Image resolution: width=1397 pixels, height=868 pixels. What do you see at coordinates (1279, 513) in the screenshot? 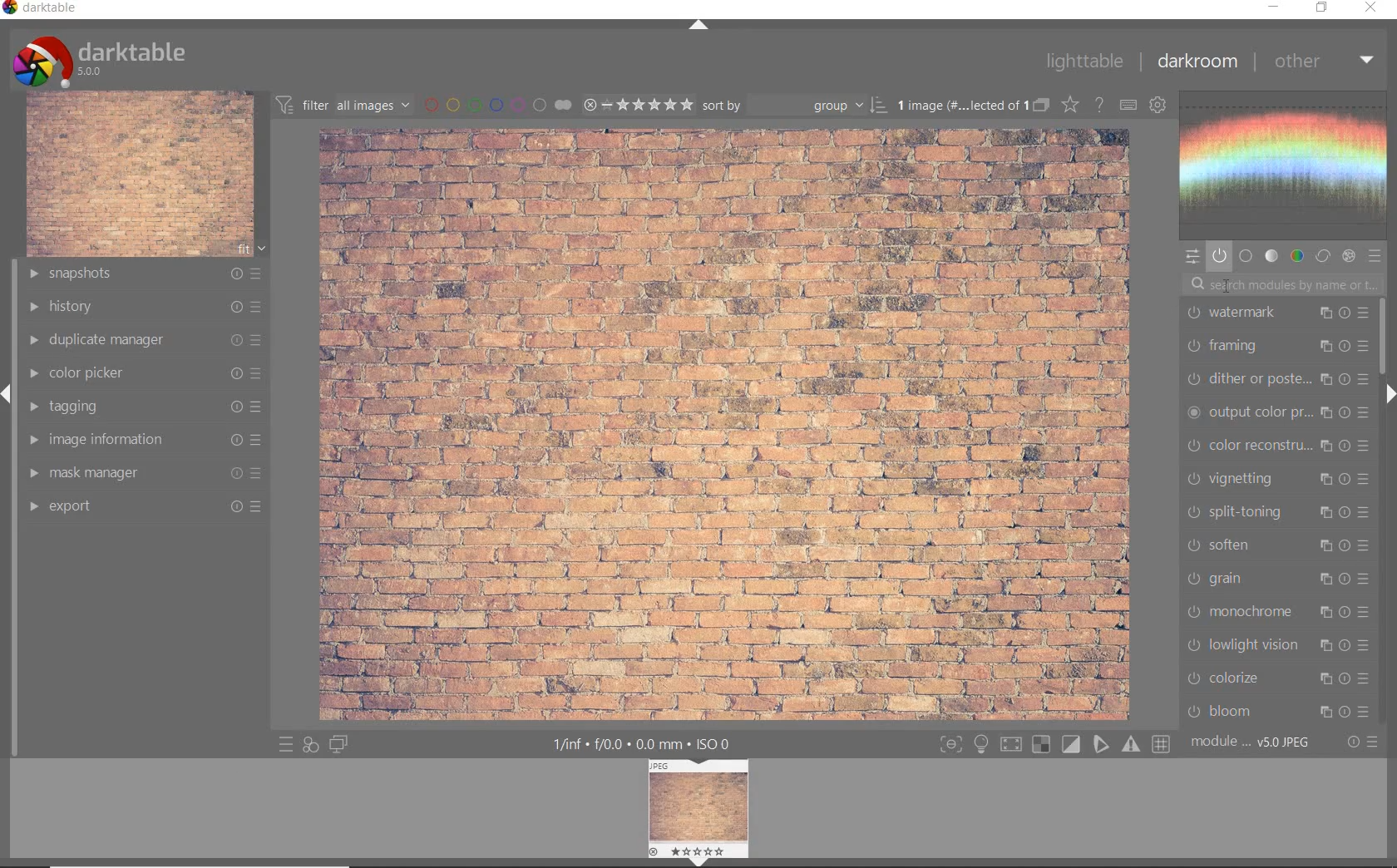
I see `split toning` at bounding box center [1279, 513].